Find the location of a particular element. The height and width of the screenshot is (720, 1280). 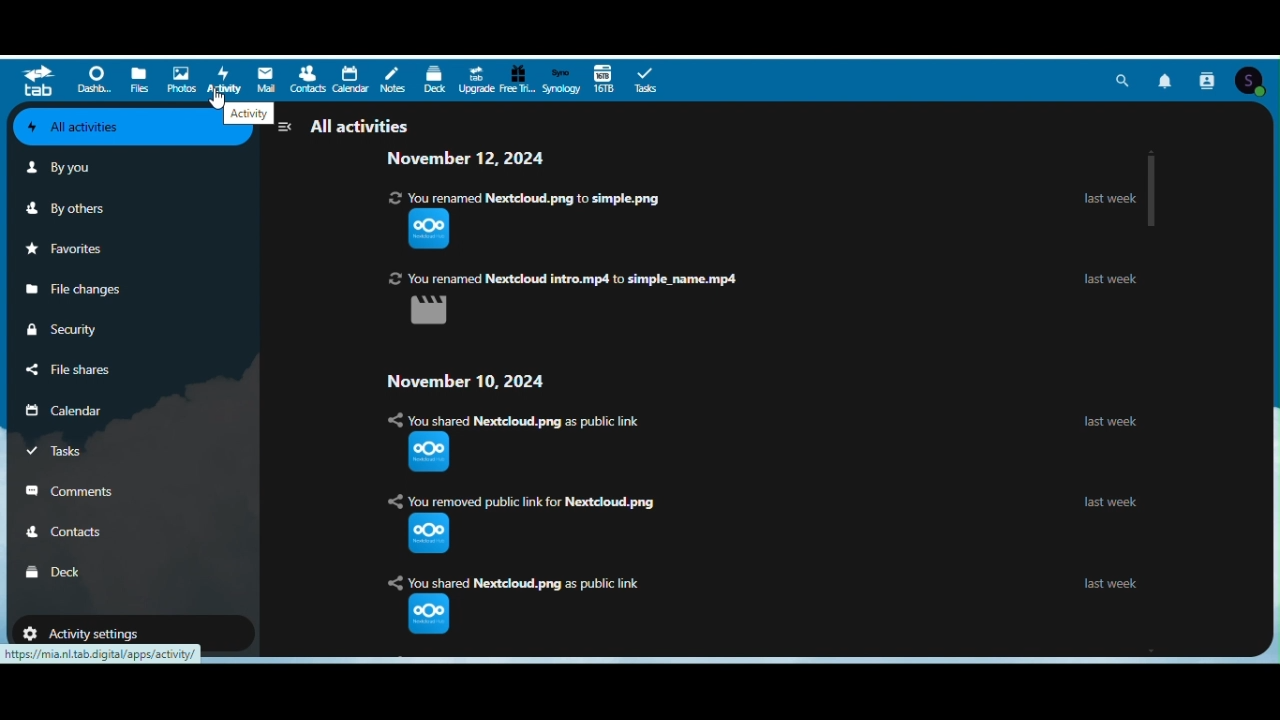

Files is located at coordinates (139, 81).